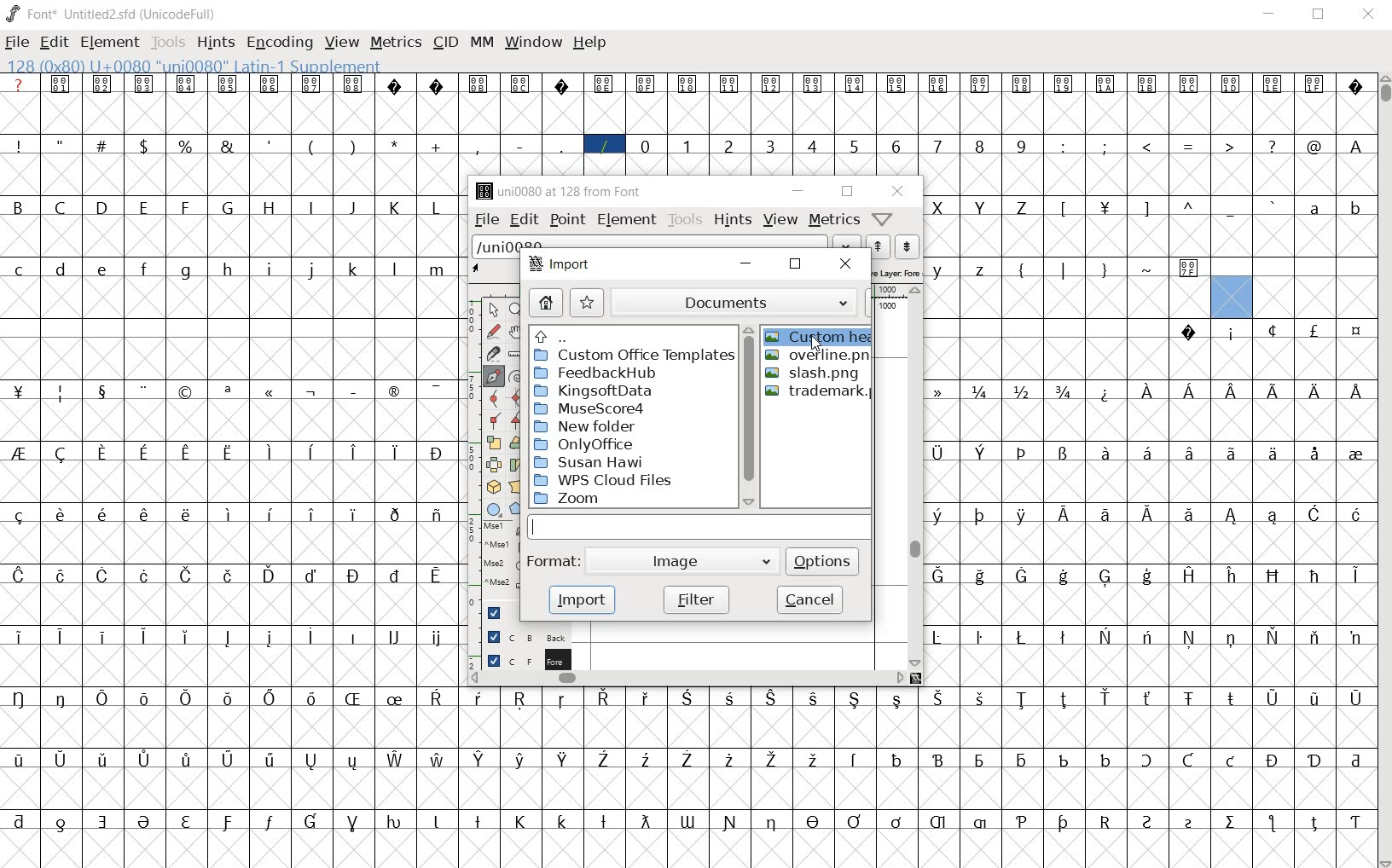  What do you see at coordinates (820, 344) in the screenshot?
I see `cursor` at bounding box center [820, 344].